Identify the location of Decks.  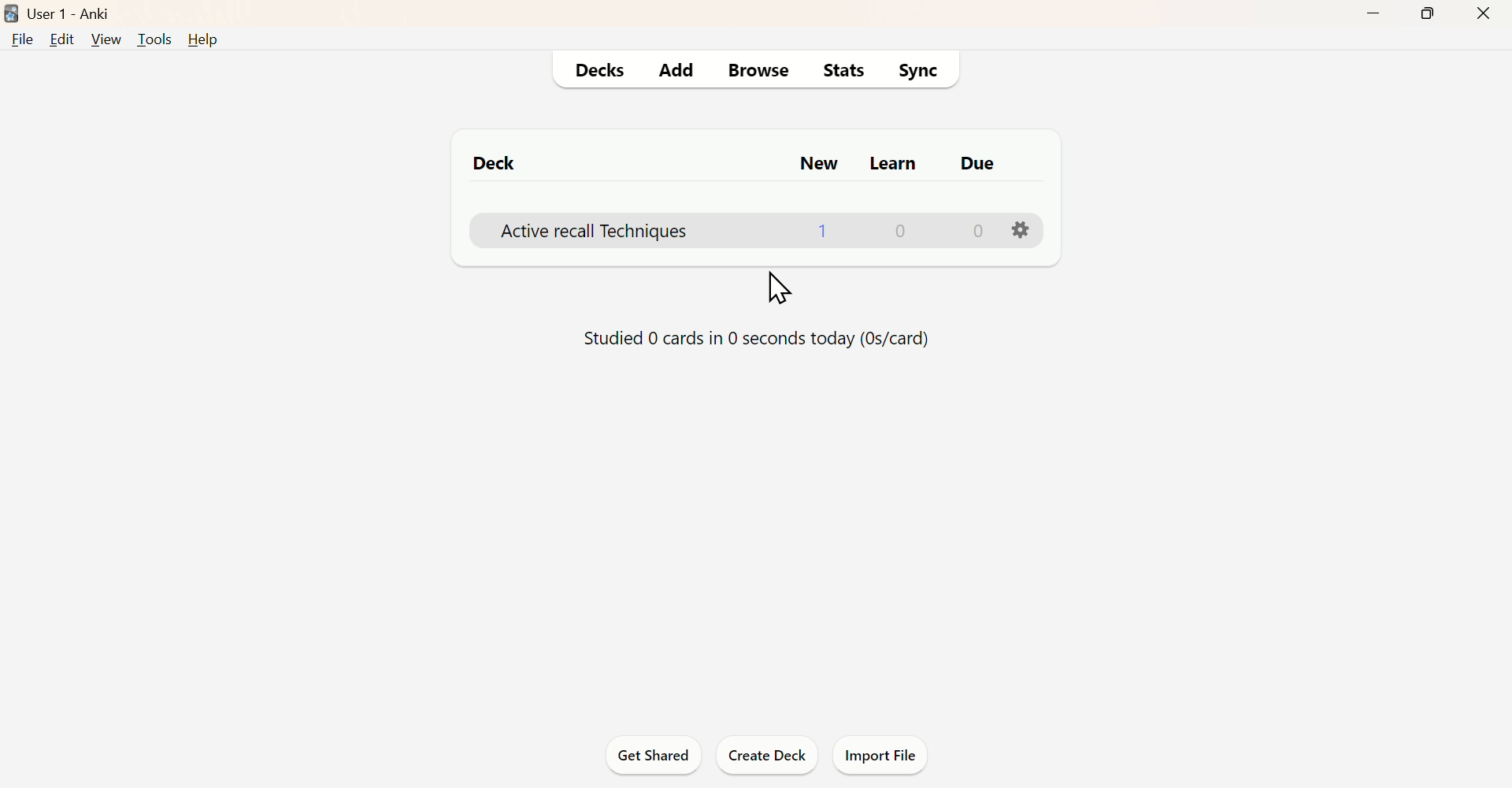
(599, 72).